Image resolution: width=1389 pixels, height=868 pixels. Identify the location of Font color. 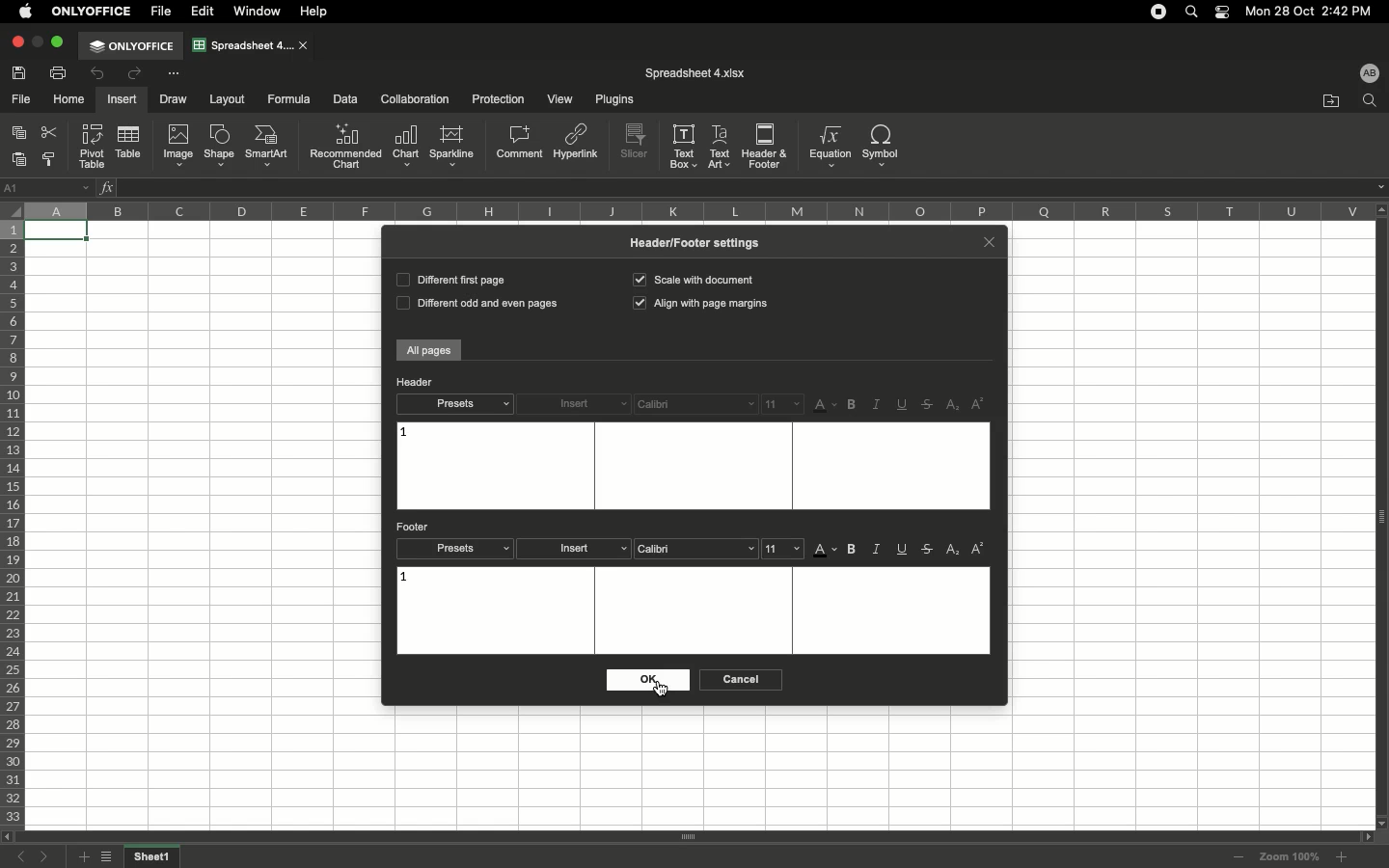
(826, 552).